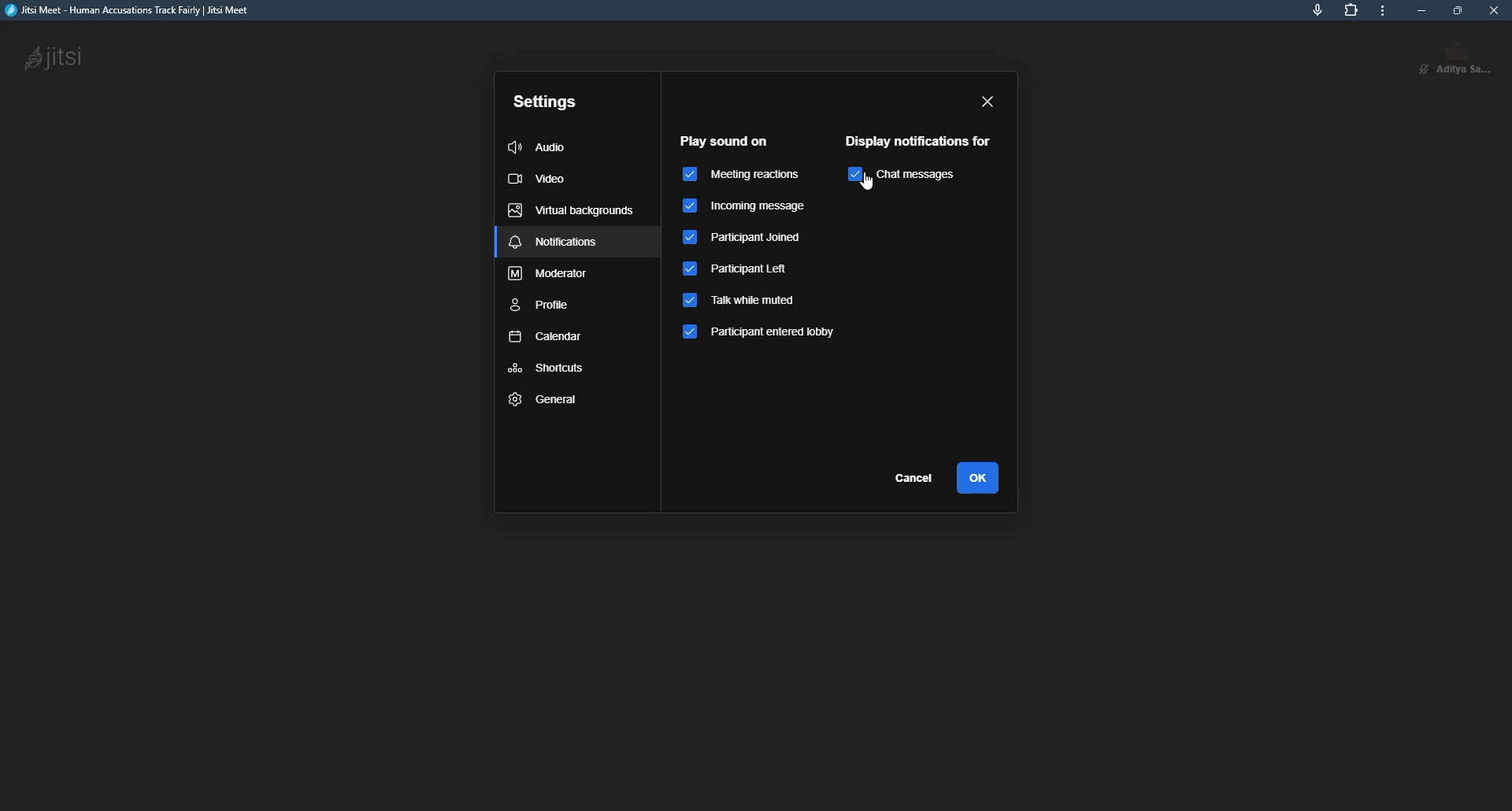 This screenshot has height=811, width=1512. What do you see at coordinates (1351, 10) in the screenshot?
I see `extensions` at bounding box center [1351, 10].